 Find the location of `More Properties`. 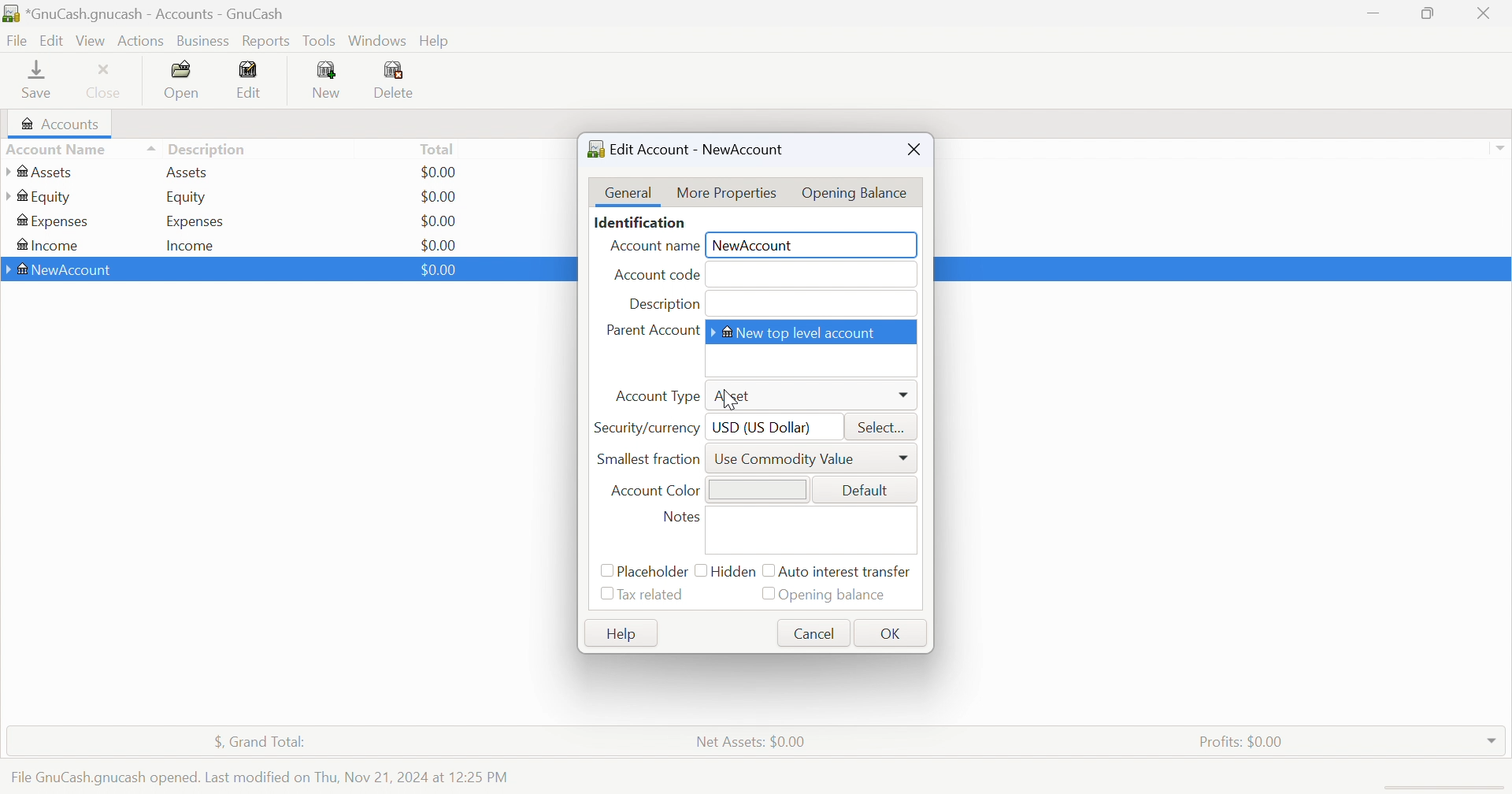

More Properties is located at coordinates (727, 191).